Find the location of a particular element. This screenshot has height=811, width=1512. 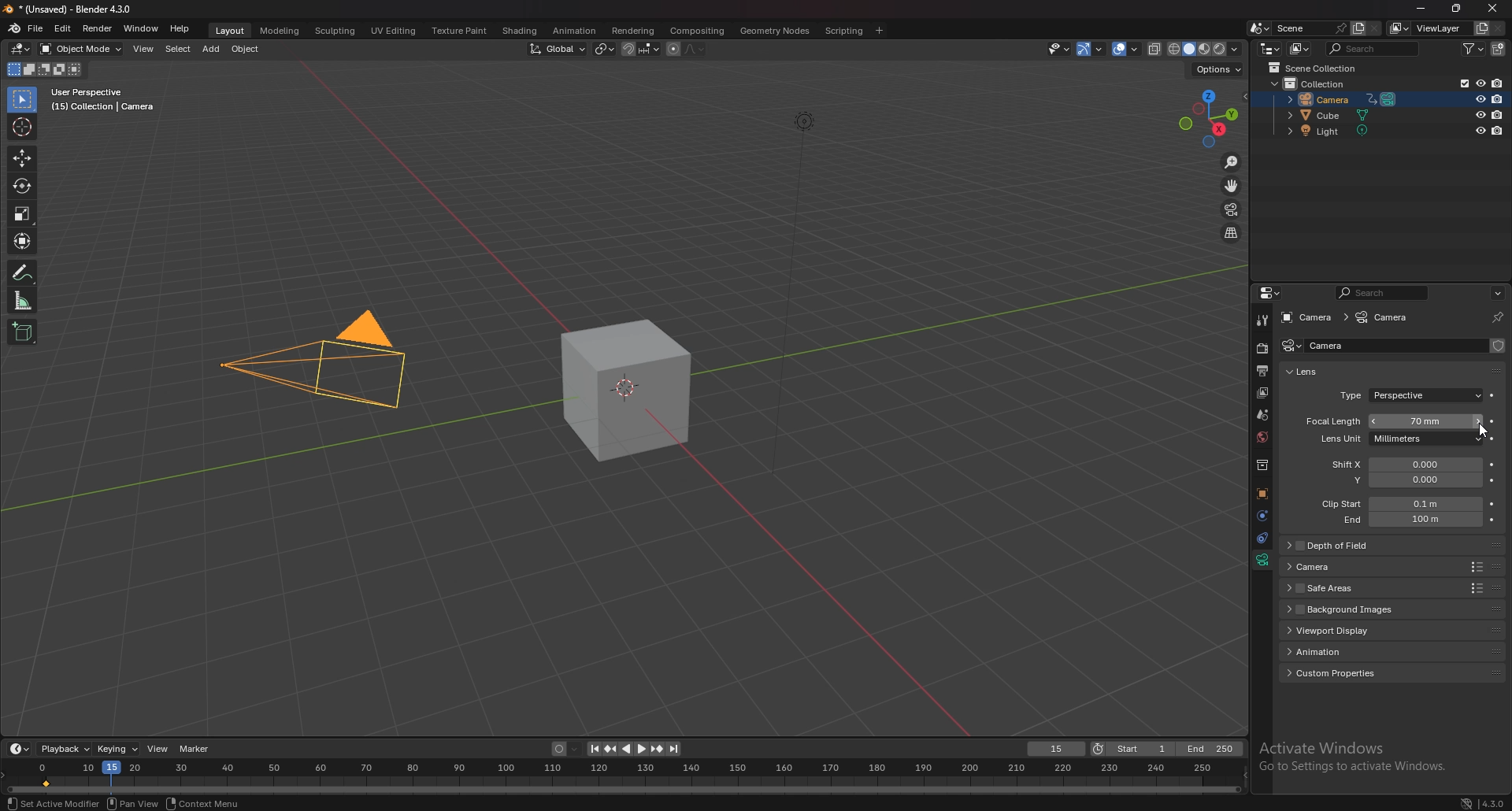

Close is located at coordinates (1490, 9).